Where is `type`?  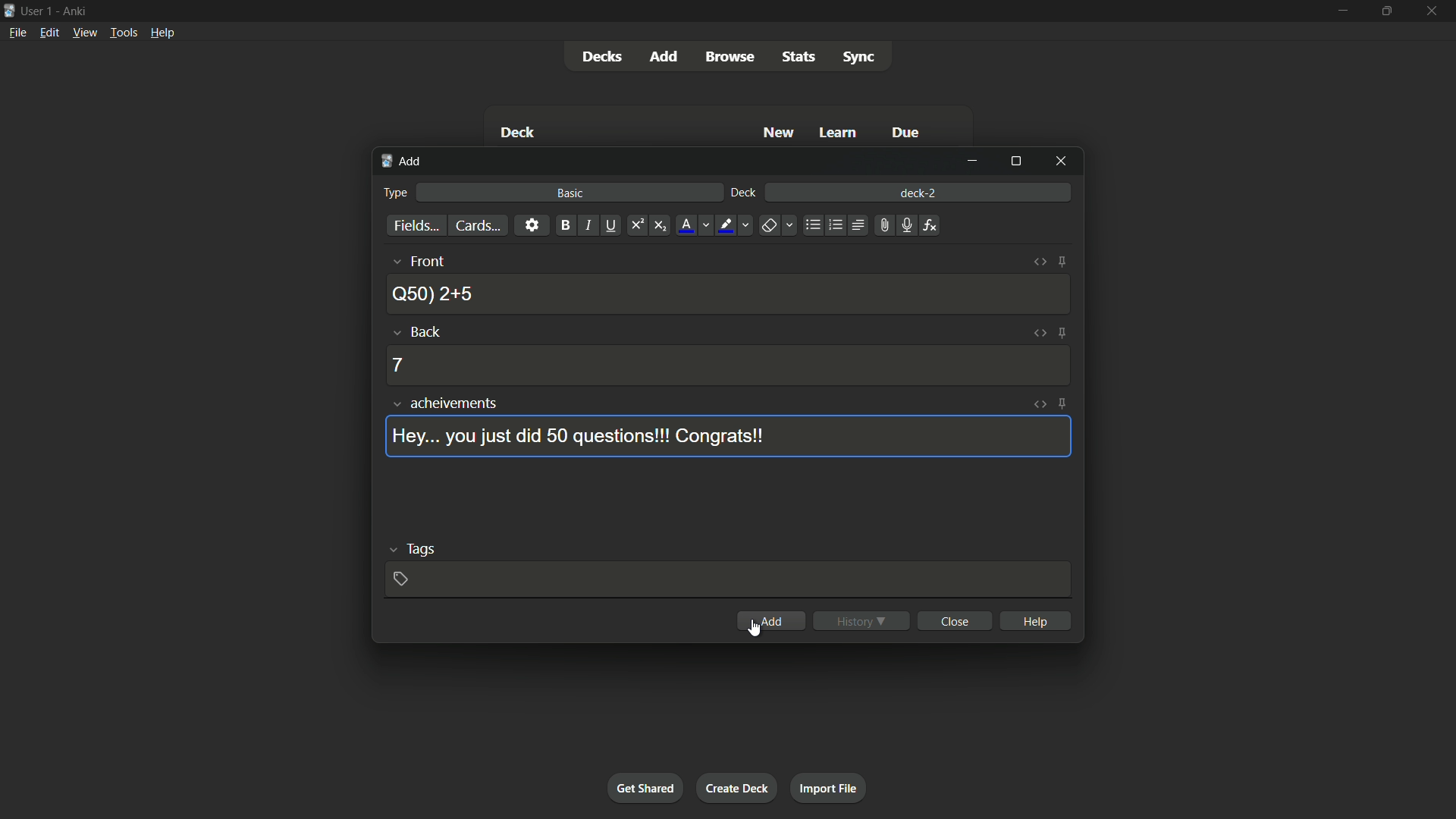 type is located at coordinates (395, 193).